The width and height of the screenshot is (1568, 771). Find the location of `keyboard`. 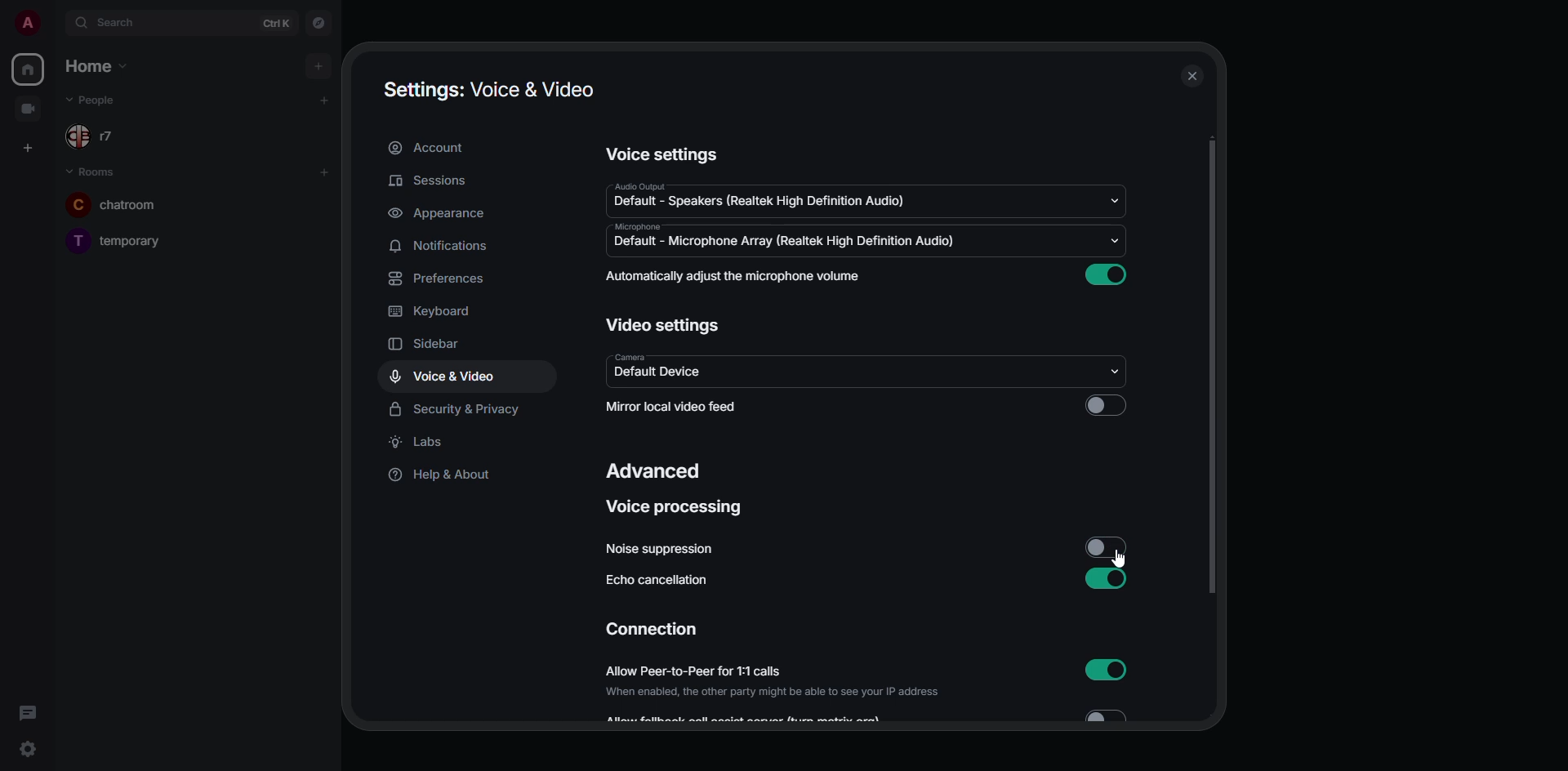

keyboard is located at coordinates (434, 311).